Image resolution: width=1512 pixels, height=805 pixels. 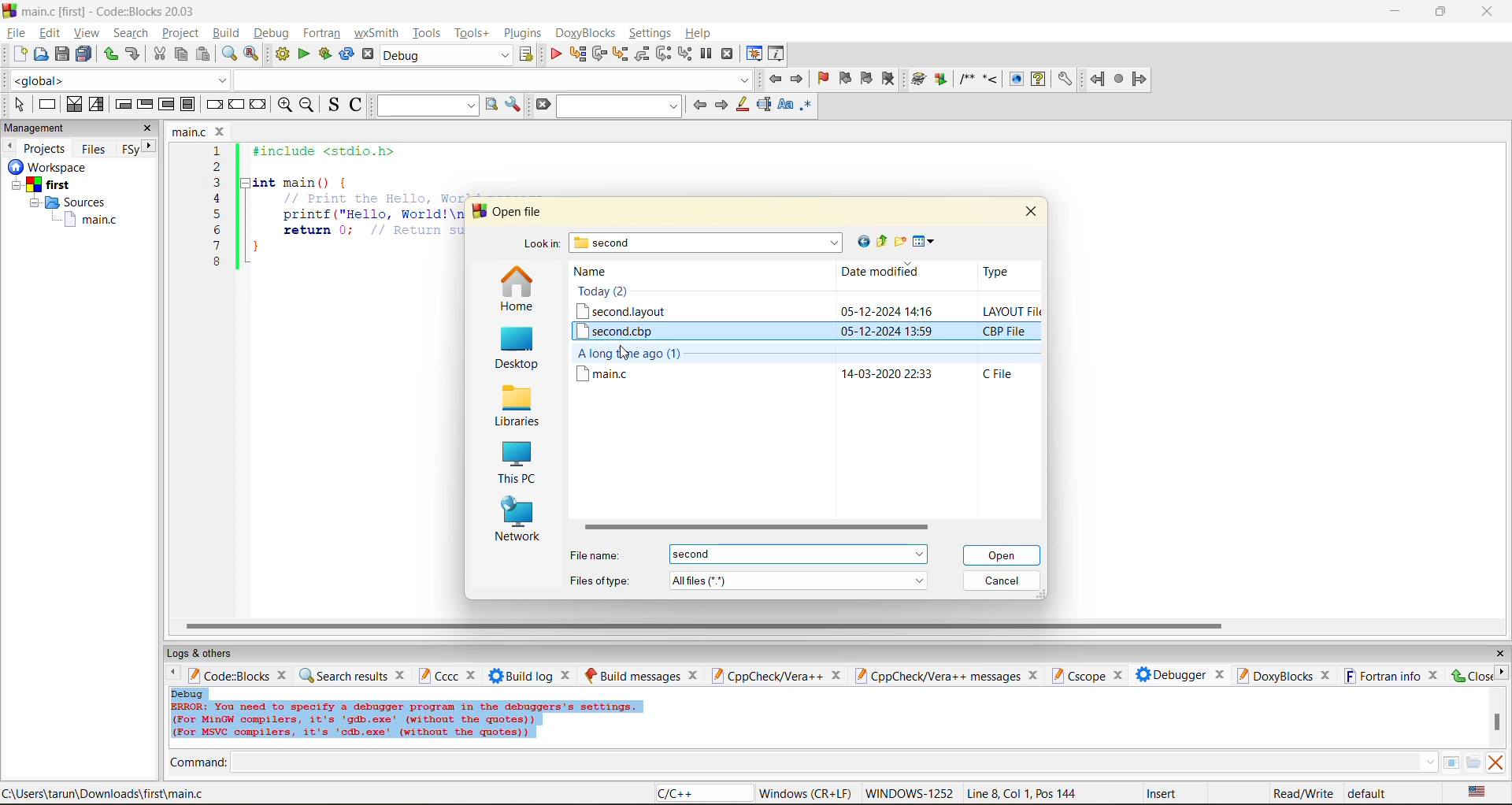 What do you see at coordinates (1273, 675) in the screenshot?
I see `doxyblocks` at bounding box center [1273, 675].